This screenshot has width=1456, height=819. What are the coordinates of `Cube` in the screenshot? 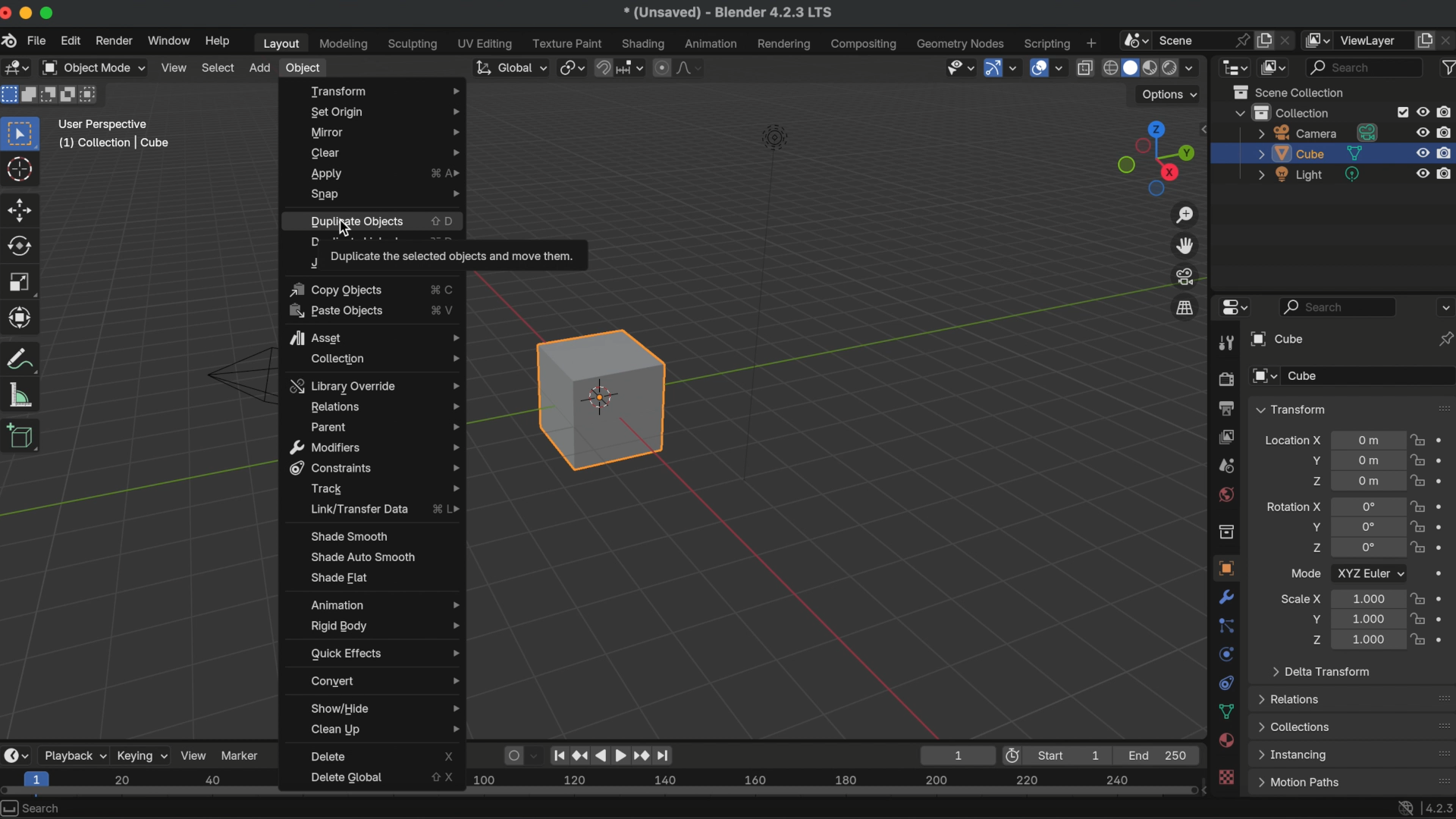 It's located at (1370, 376).